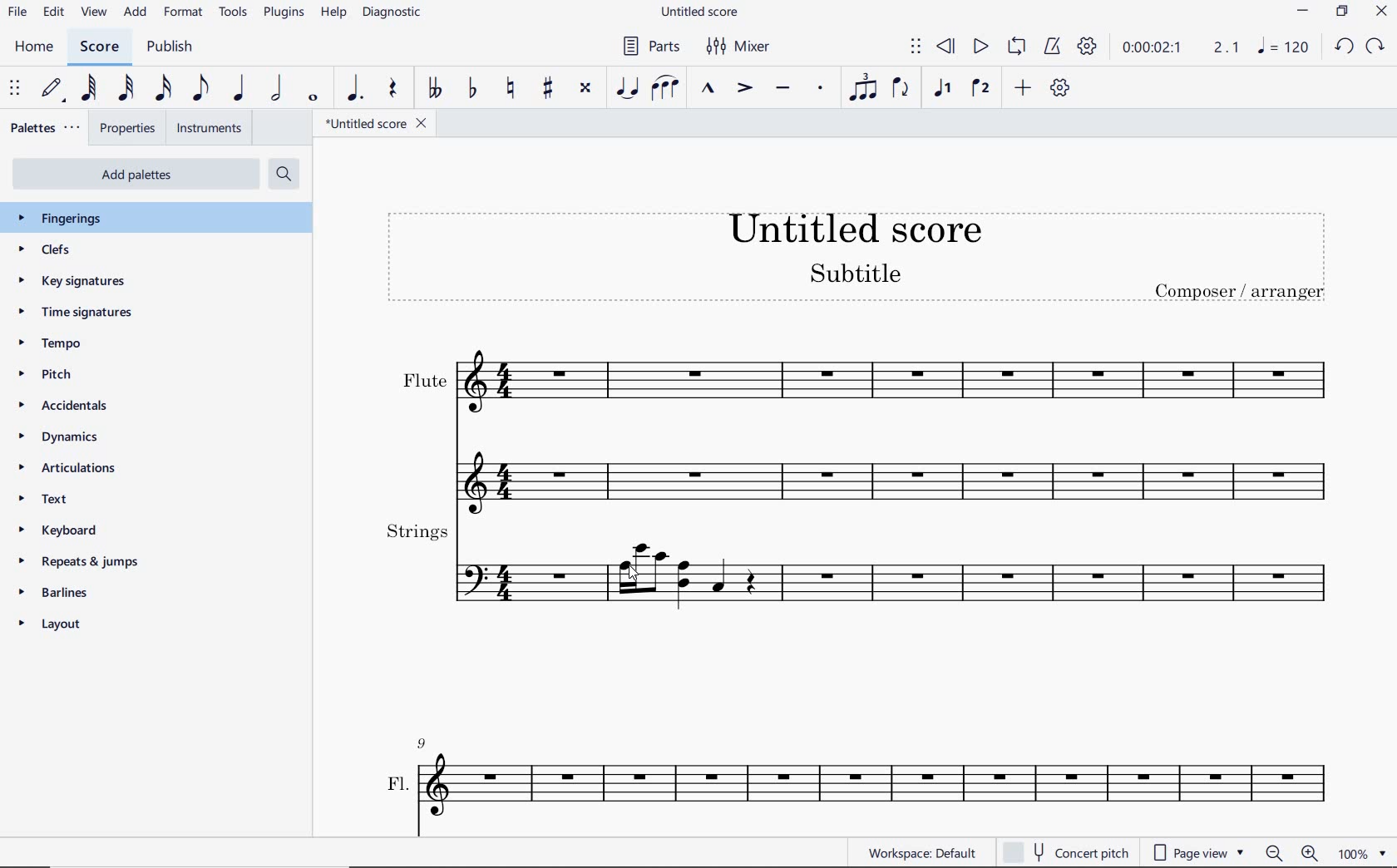  What do you see at coordinates (394, 13) in the screenshot?
I see `diagnostic` at bounding box center [394, 13].